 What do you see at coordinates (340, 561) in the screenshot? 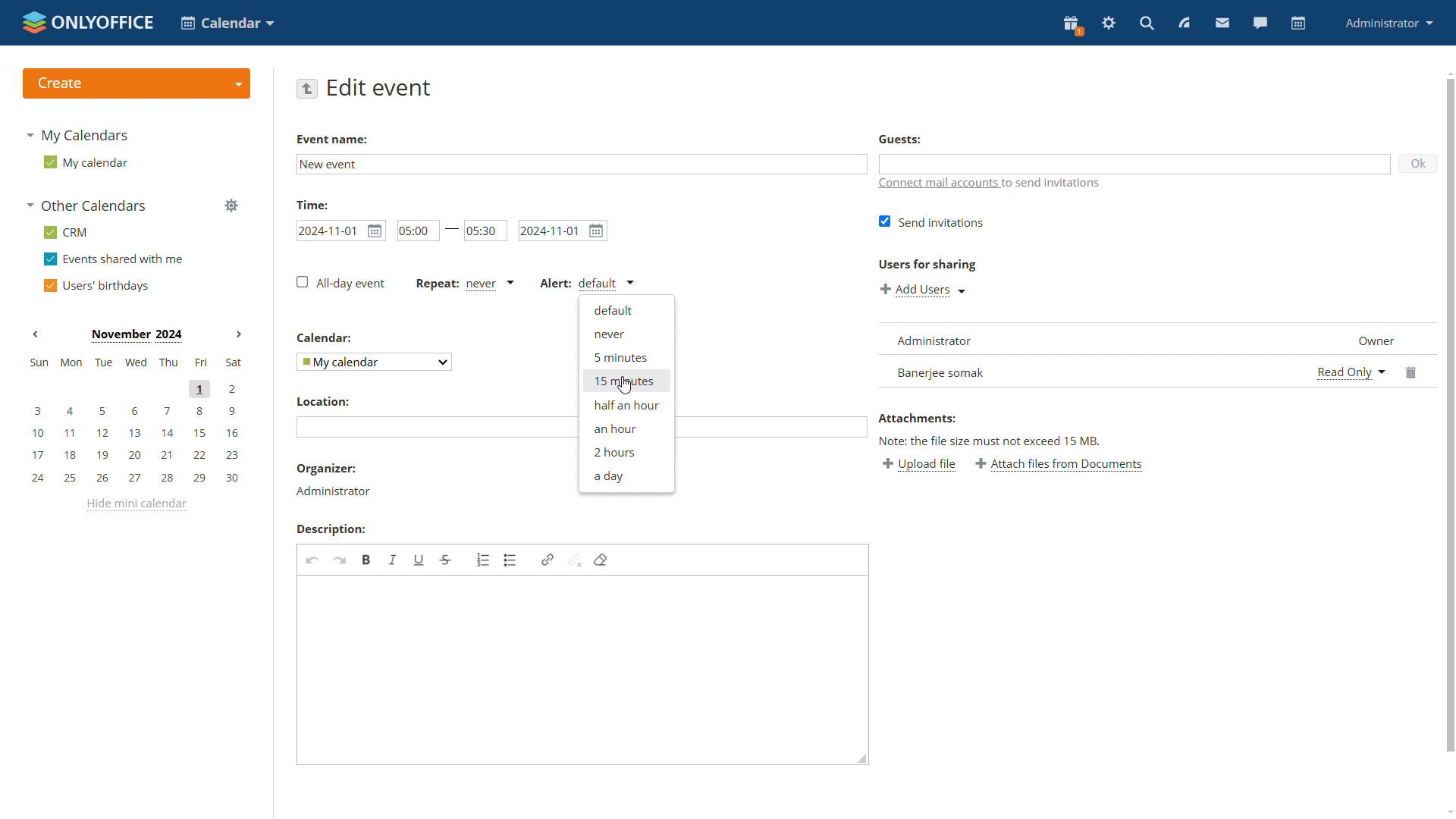
I see `redo` at bounding box center [340, 561].